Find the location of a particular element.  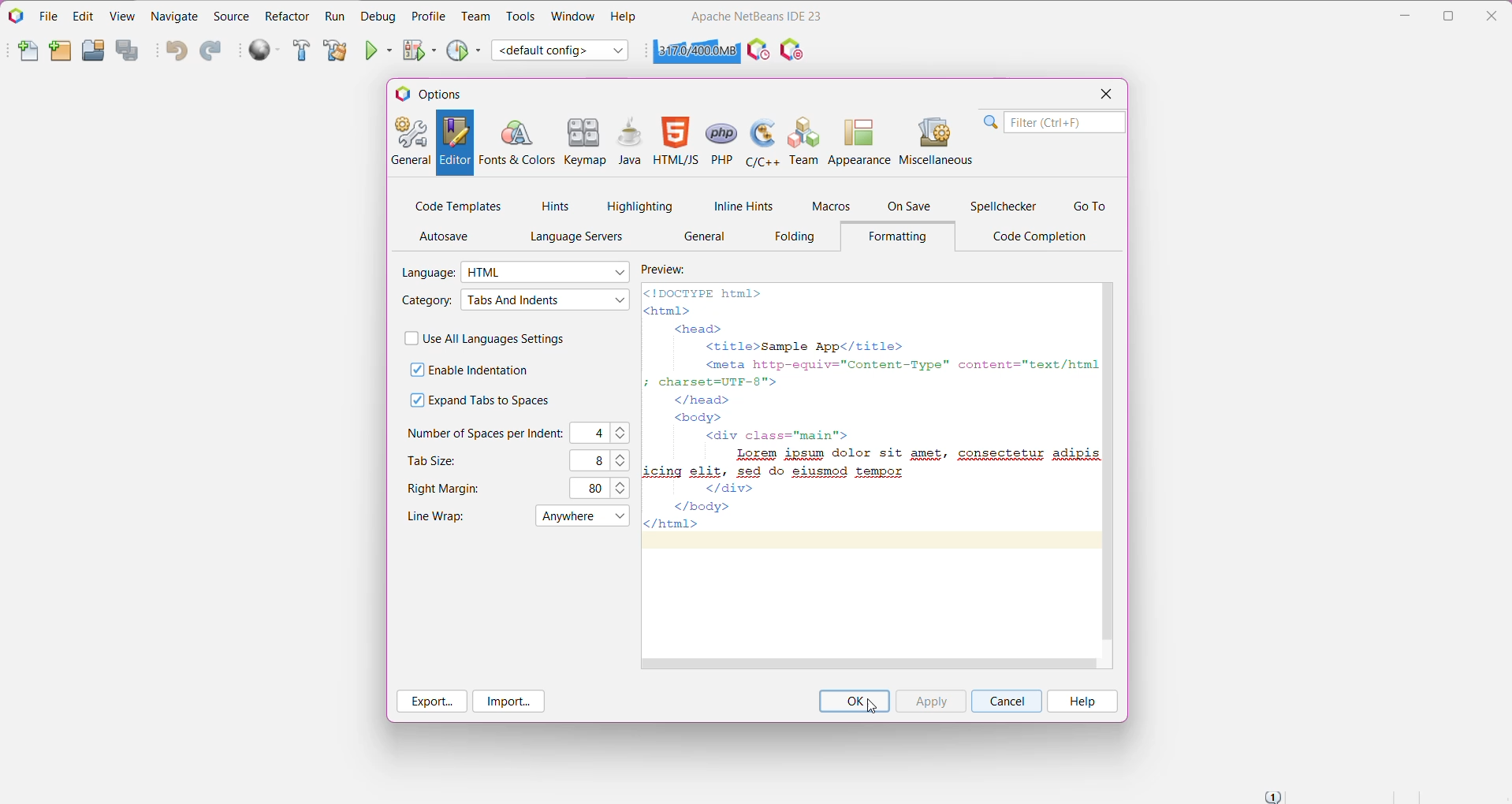

Edit is located at coordinates (81, 16).